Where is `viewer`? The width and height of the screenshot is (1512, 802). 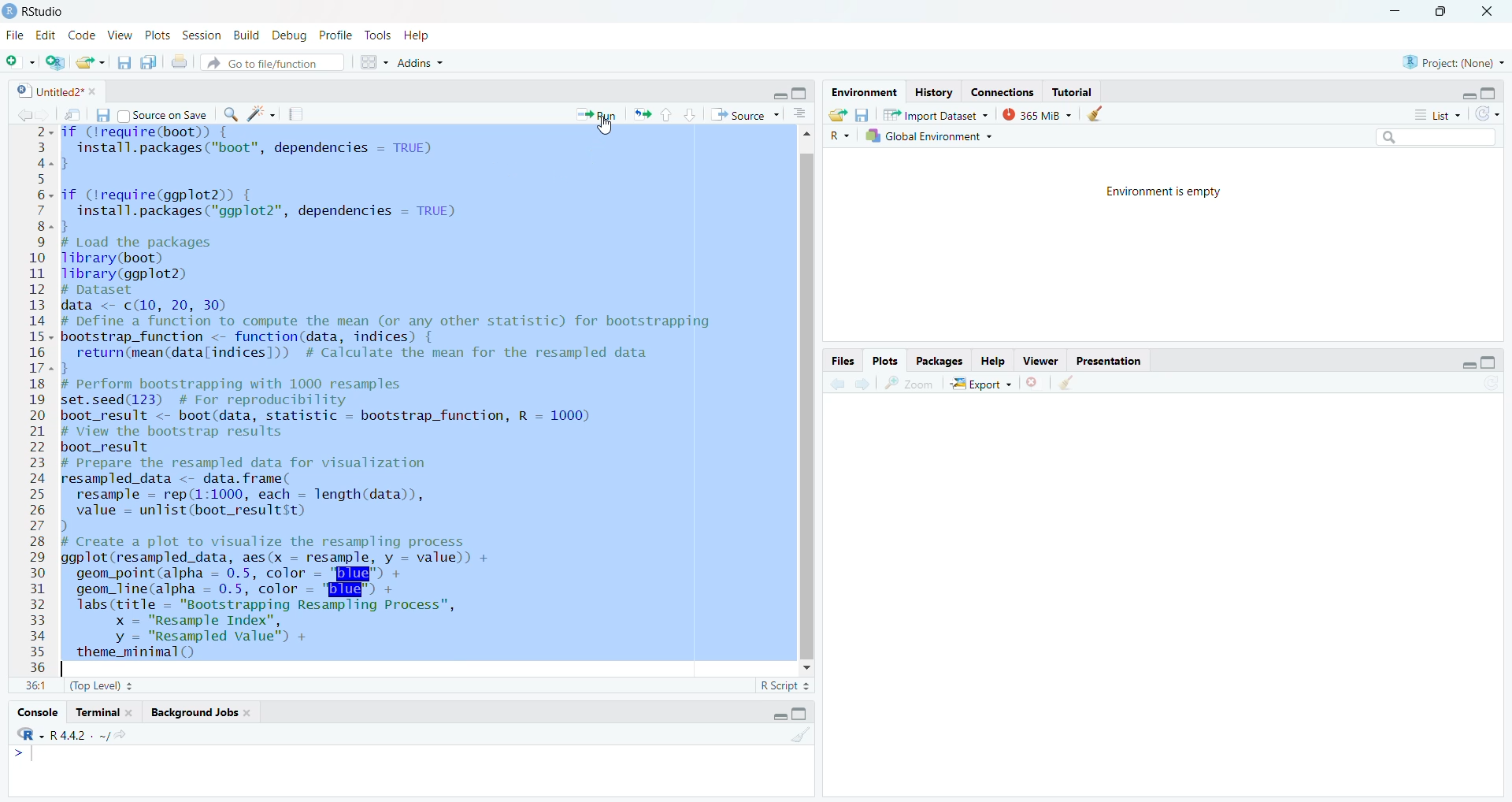 viewer is located at coordinates (1042, 360).